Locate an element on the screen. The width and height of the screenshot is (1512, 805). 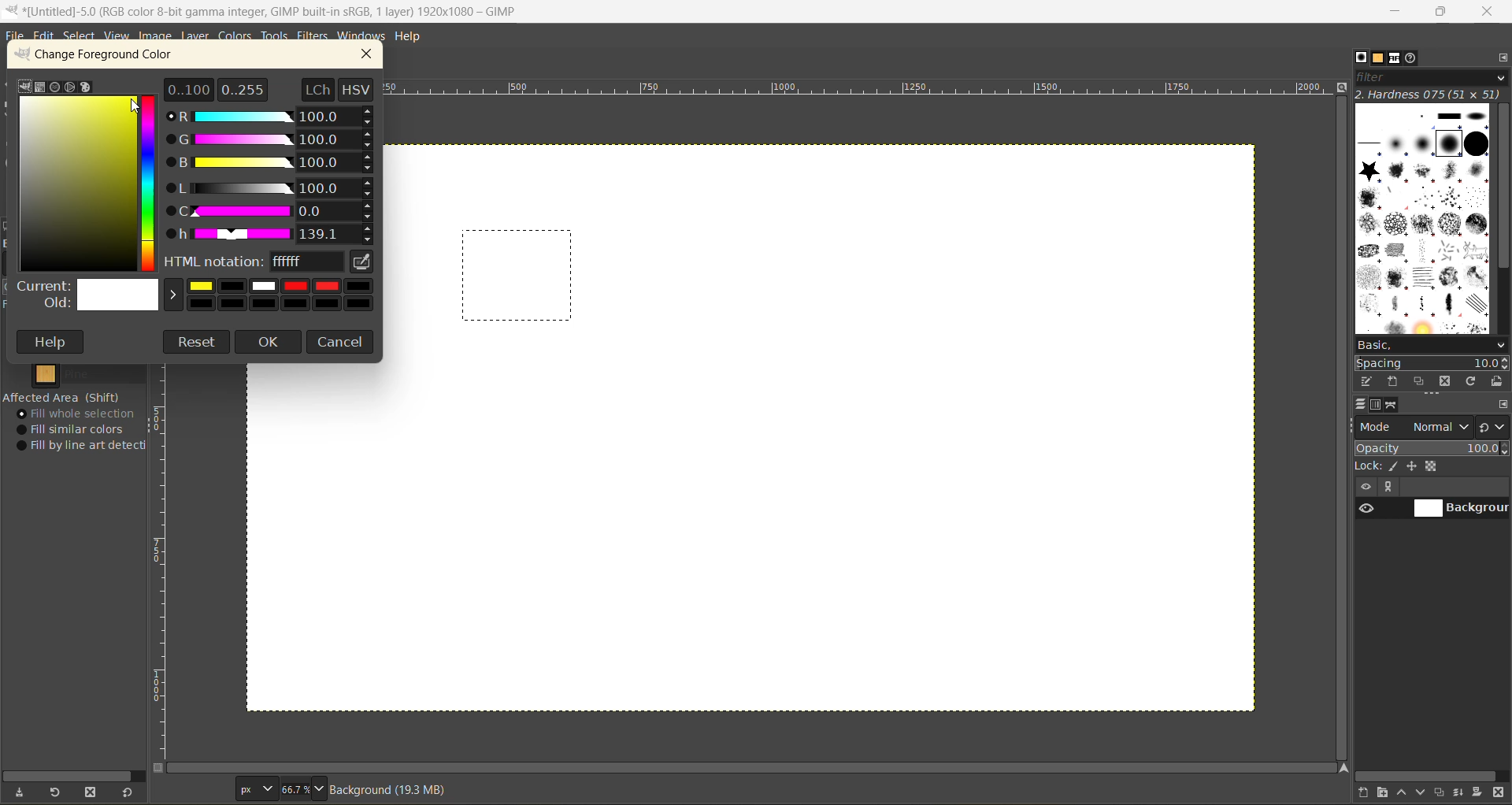
edit is located at coordinates (46, 37).